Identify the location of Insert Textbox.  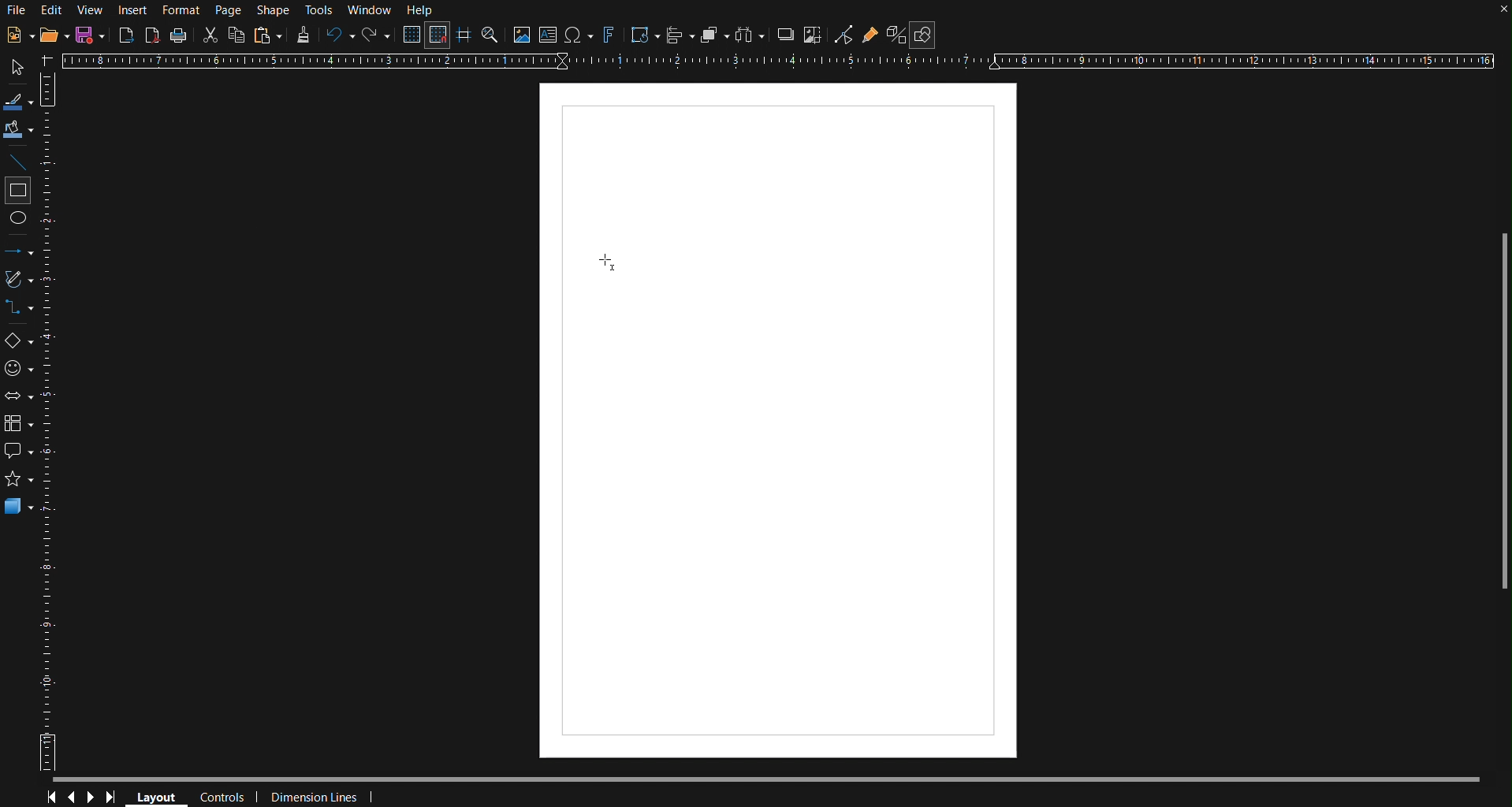
(549, 35).